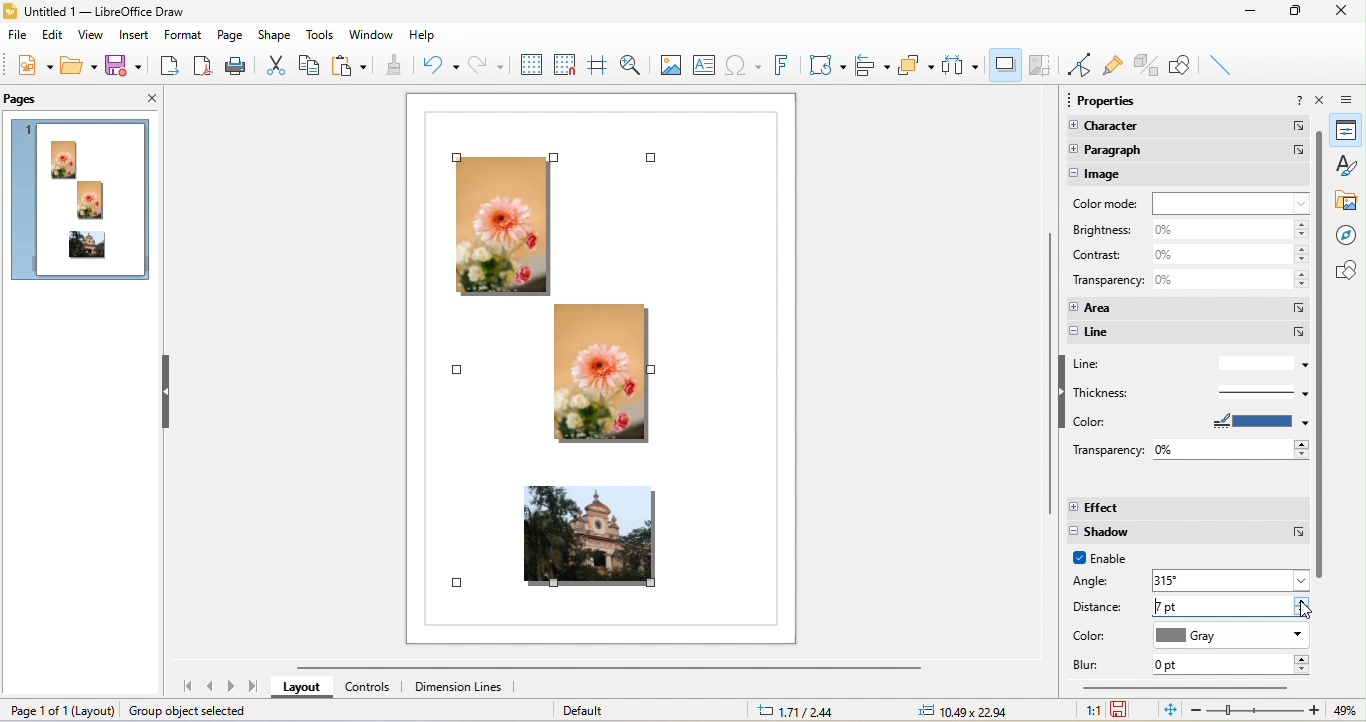  I want to click on layout, so click(305, 687).